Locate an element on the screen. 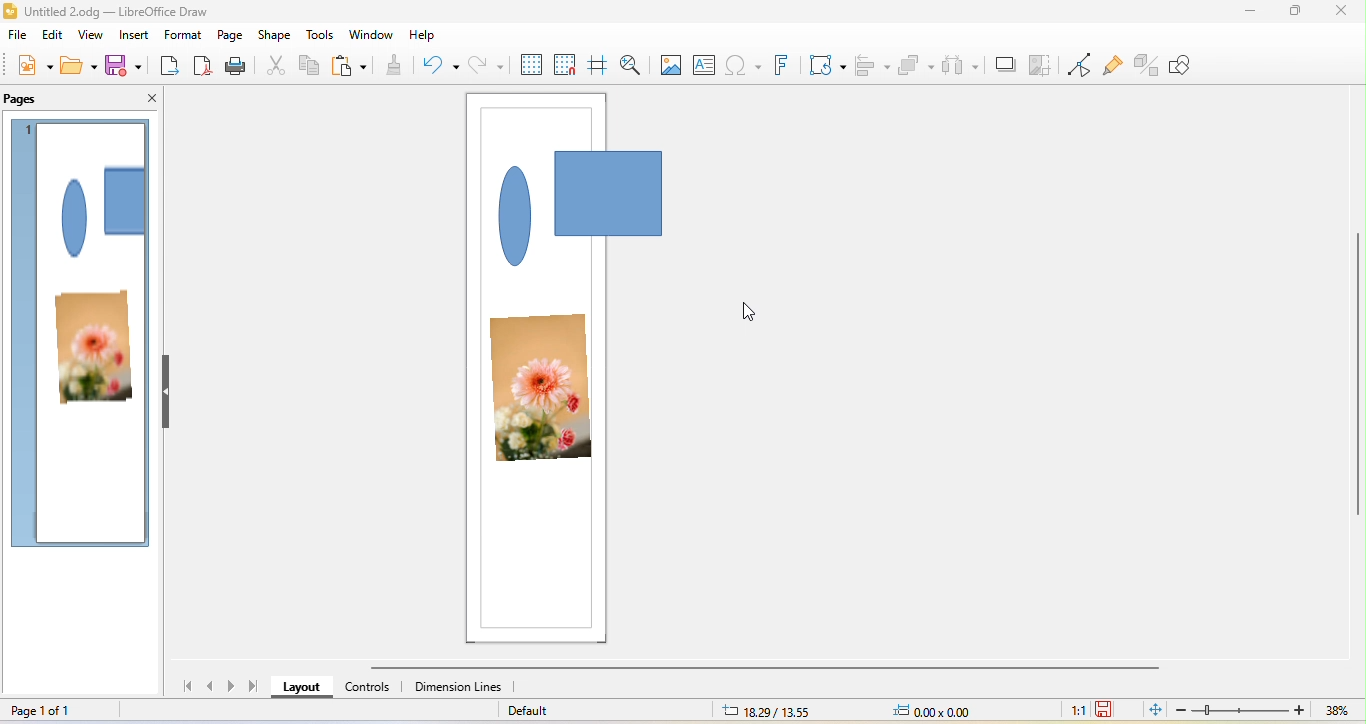  redo is located at coordinates (486, 70).